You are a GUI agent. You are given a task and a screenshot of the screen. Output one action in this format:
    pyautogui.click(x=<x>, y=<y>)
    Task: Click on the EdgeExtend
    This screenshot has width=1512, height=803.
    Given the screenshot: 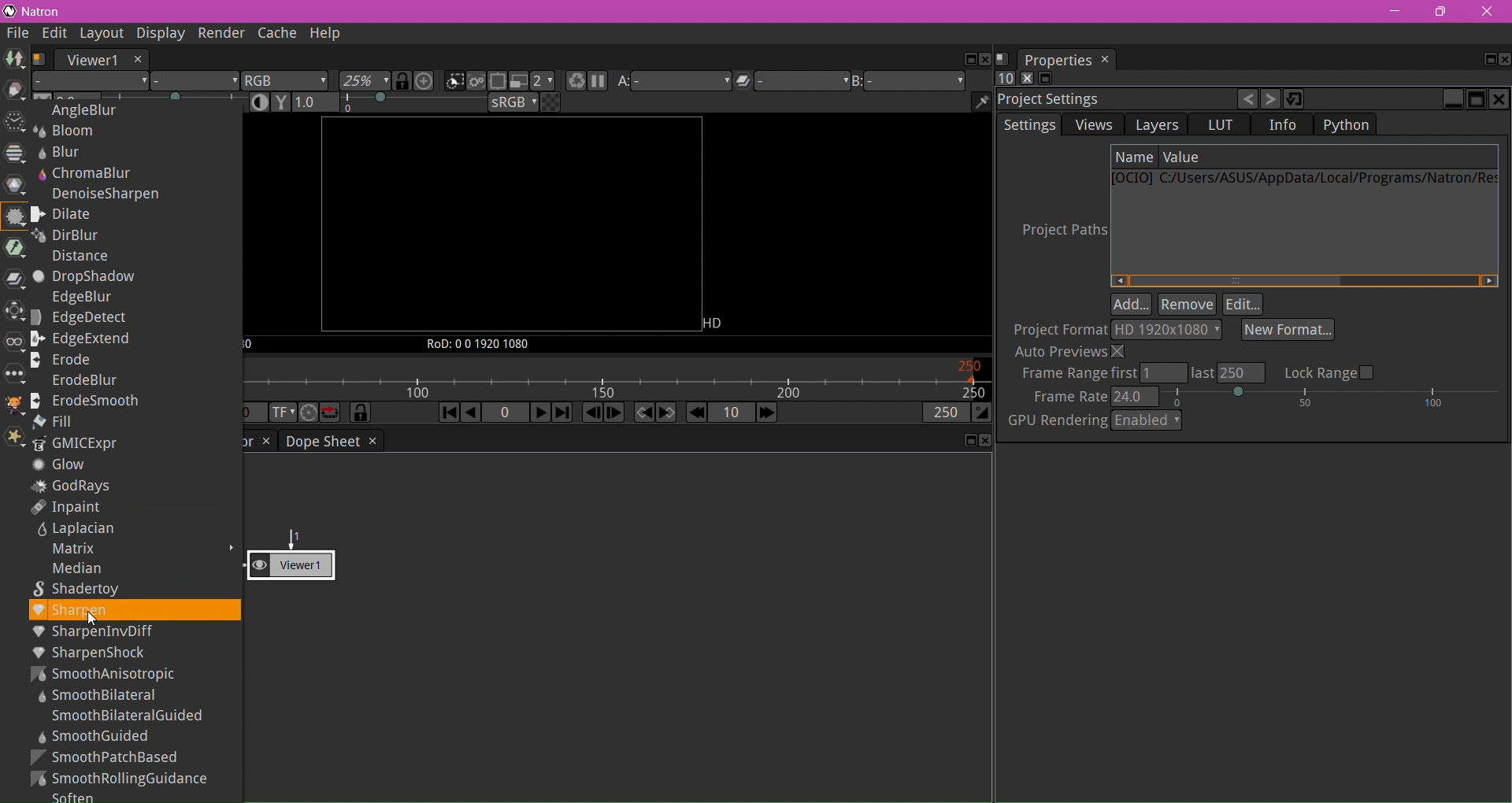 What is the action you would take?
    pyautogui.click(x=87, y=339)
    